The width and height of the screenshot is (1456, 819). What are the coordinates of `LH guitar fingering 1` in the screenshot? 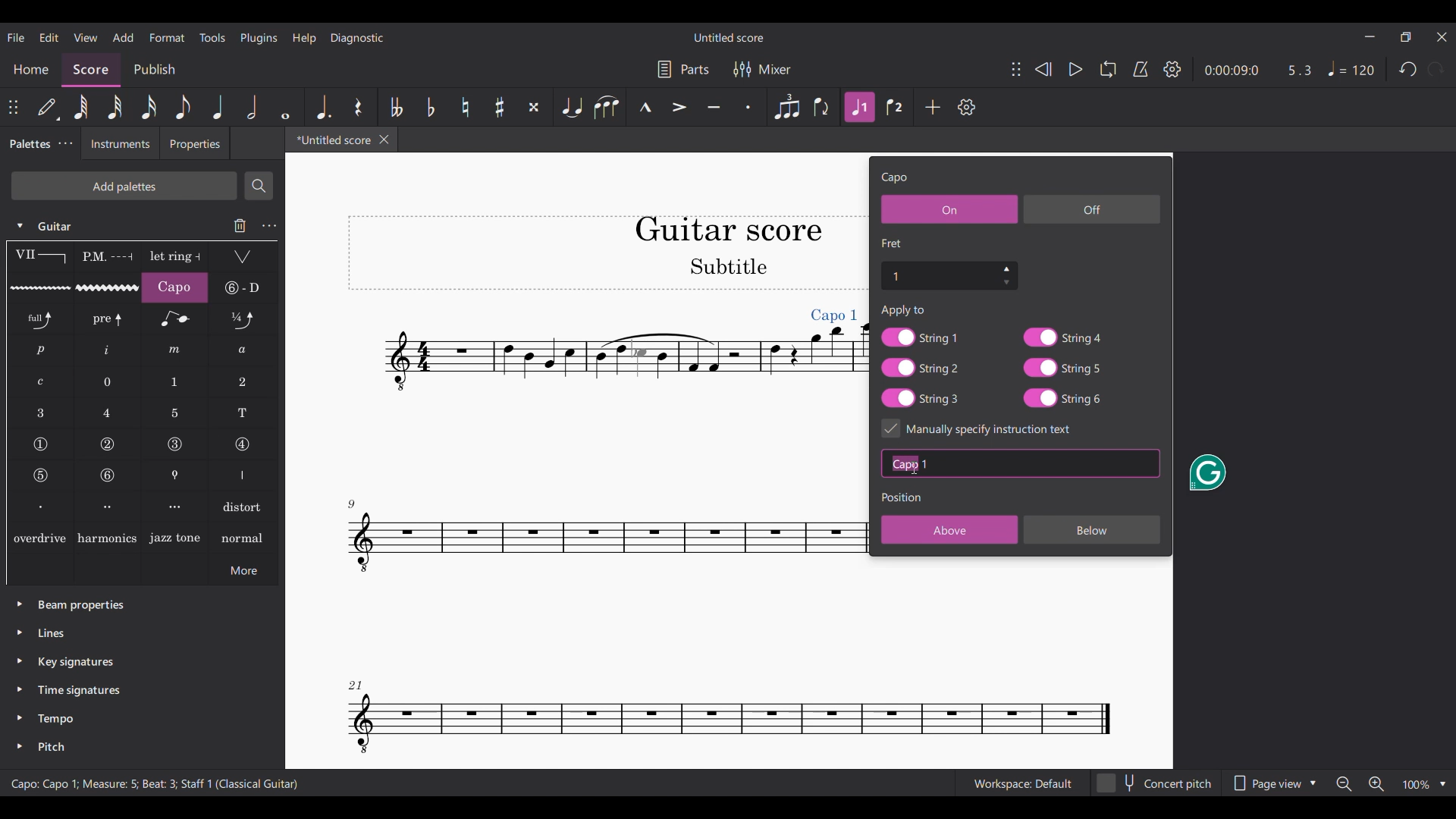 It's located at (176, 382).